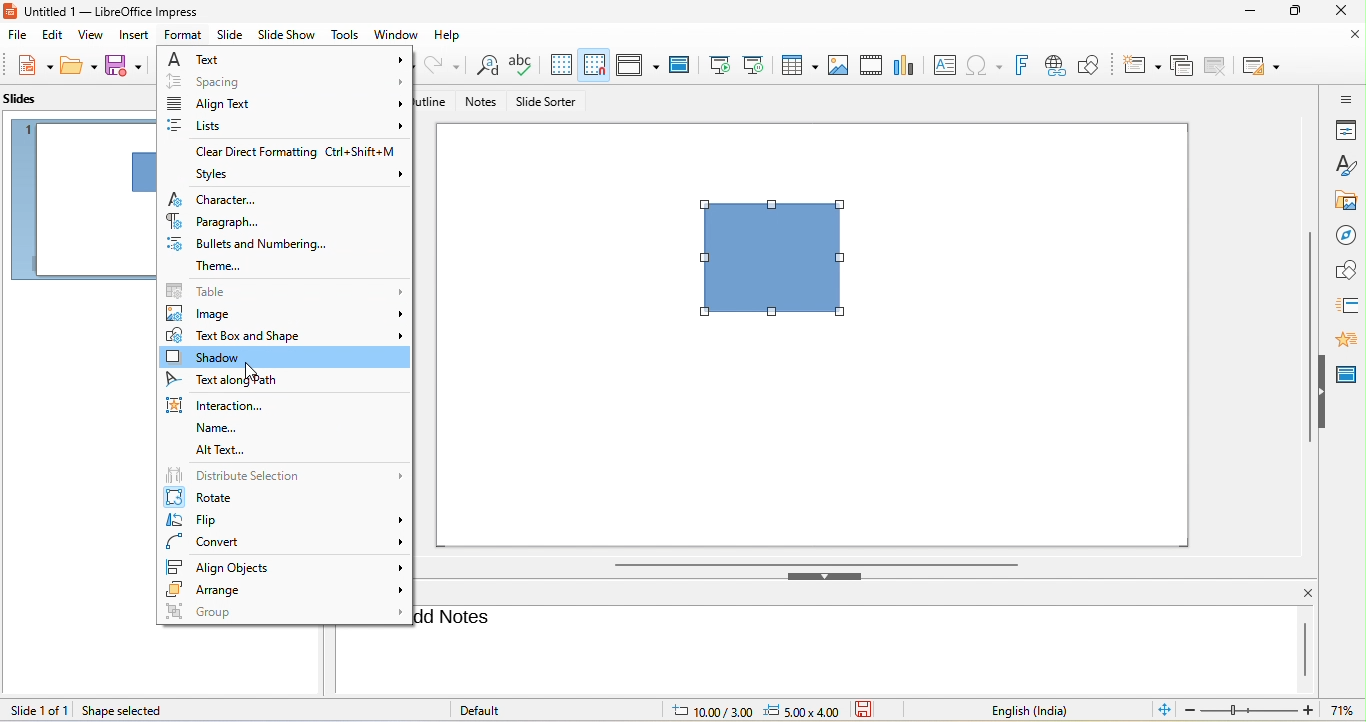 This screenshot has height=722, width=1366. Describe the element at coordinates (1345, 130) in the screenshot. I see `properties` at that location.